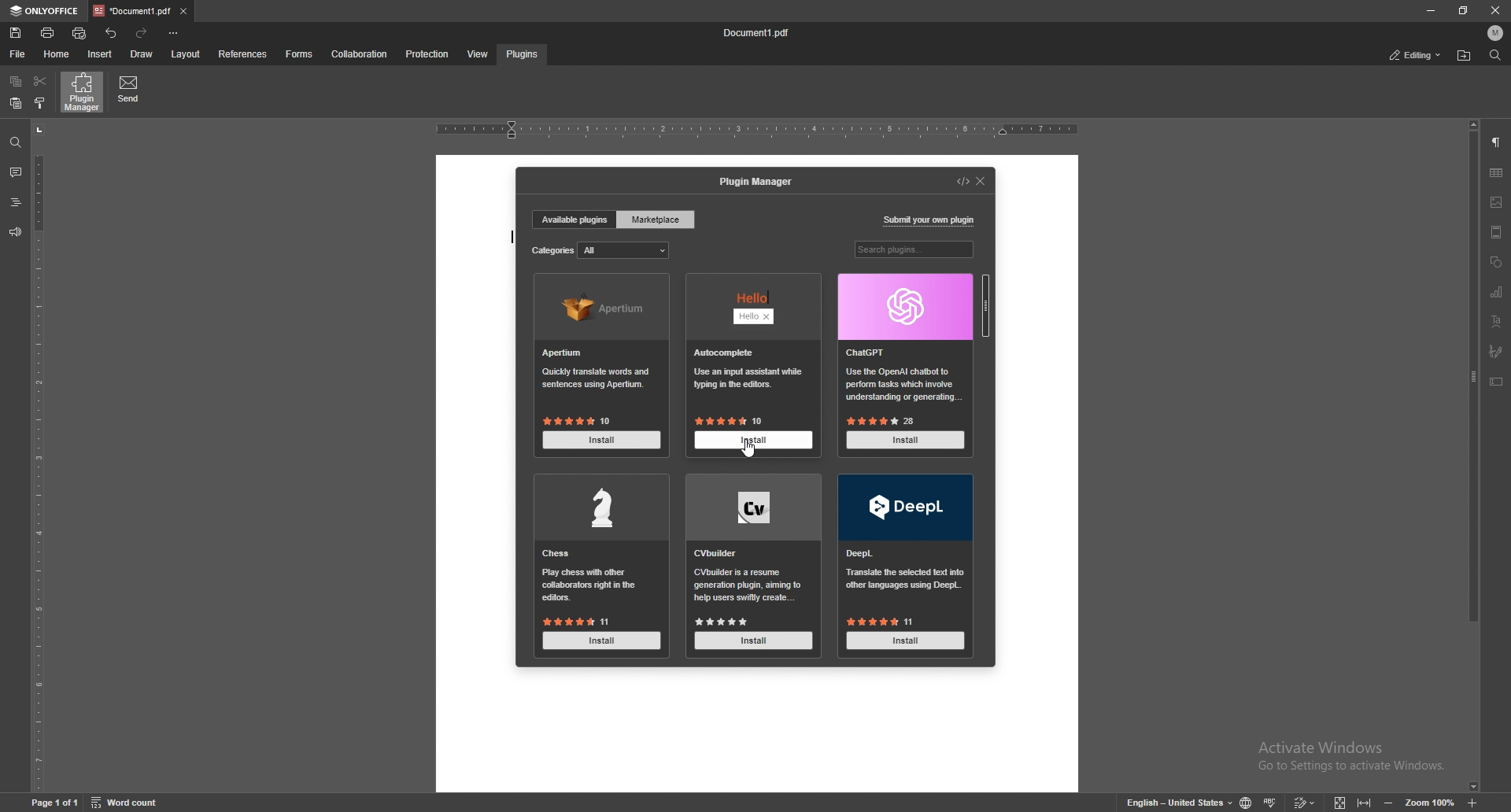 This screenshot has width=1511, height=812. I want to click on deepl, so click(908, 549).